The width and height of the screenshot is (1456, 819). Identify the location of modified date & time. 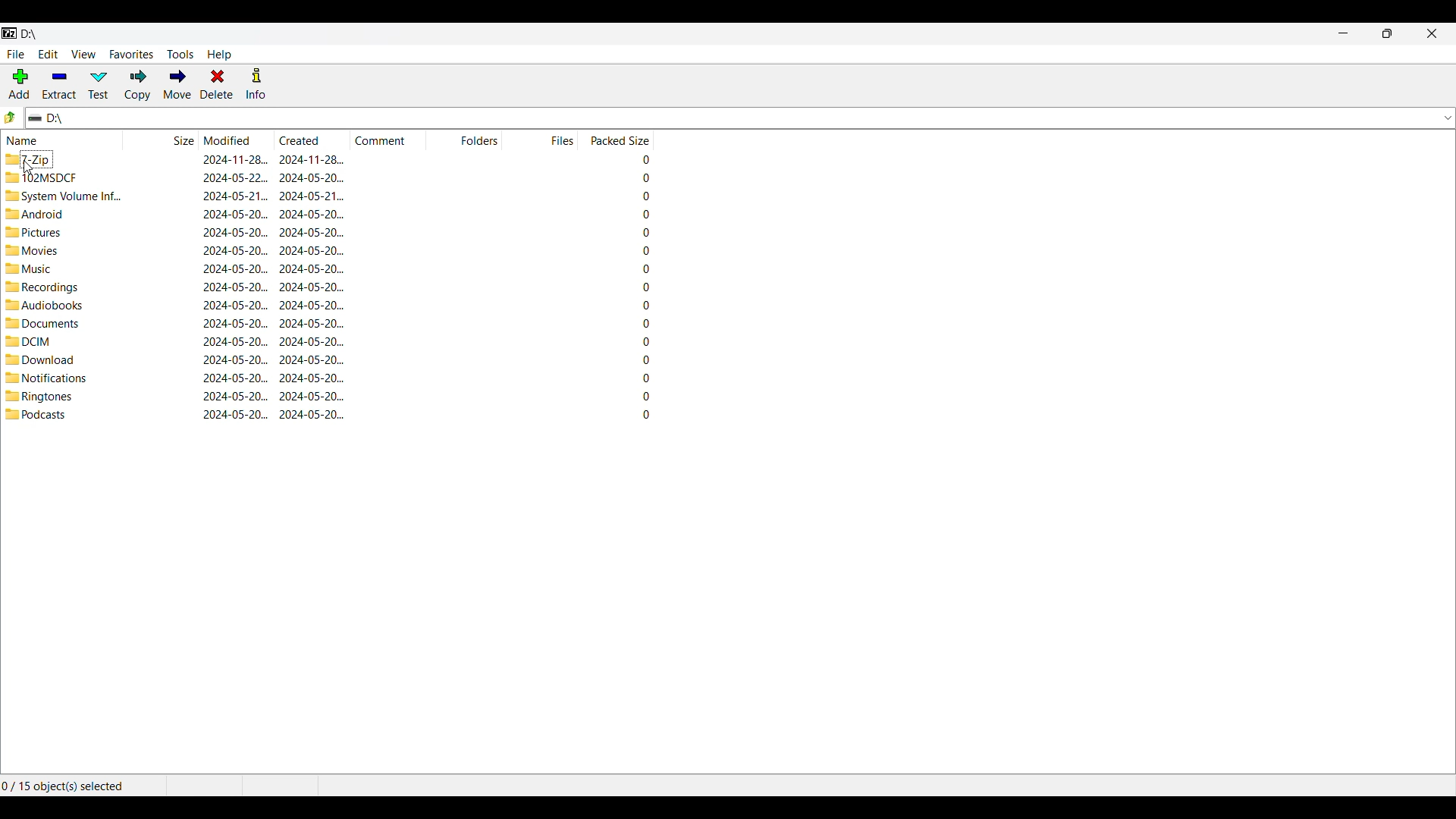
(236, 341).